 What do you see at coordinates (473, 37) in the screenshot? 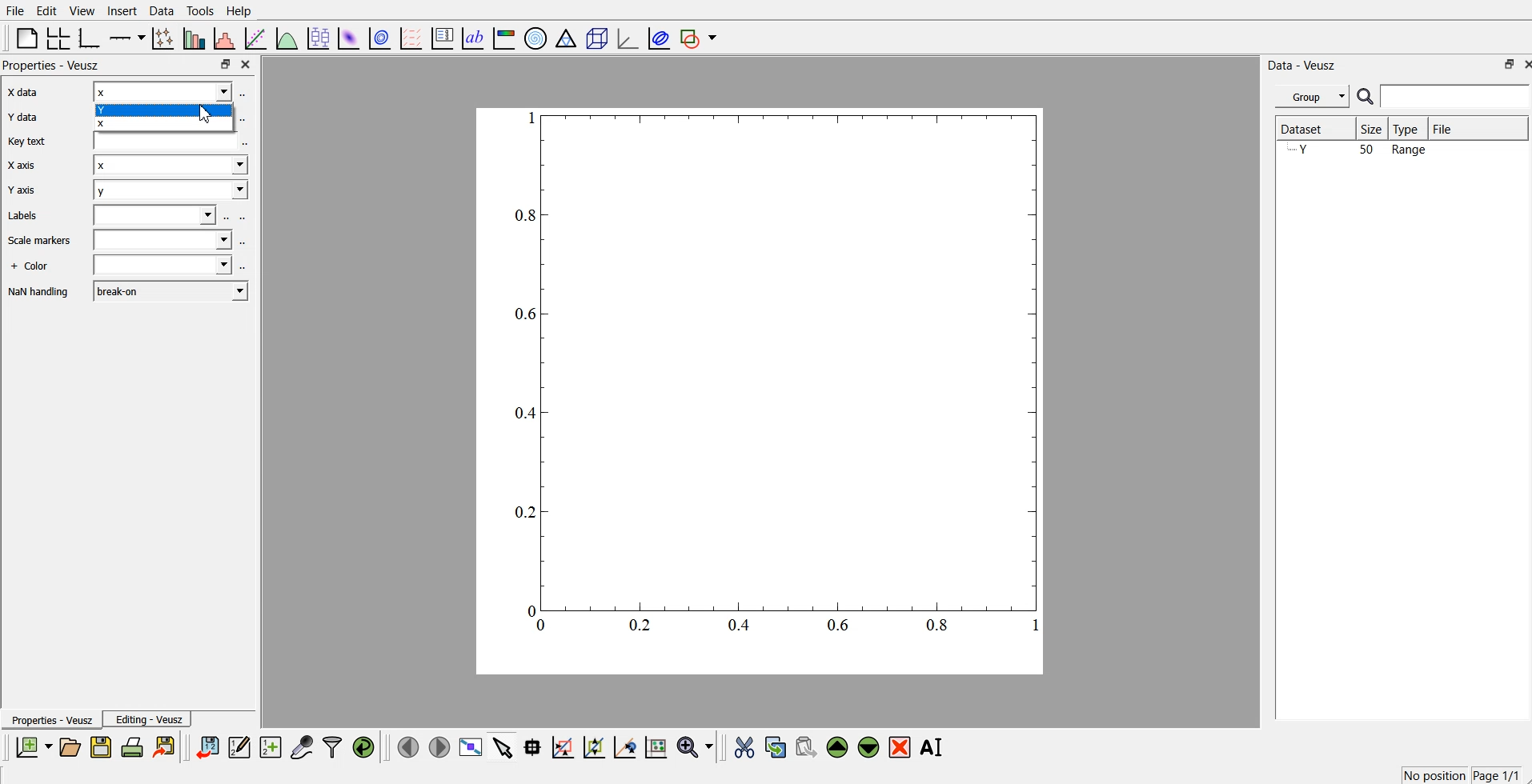
I see `text label` at bounding box center [473, 37].